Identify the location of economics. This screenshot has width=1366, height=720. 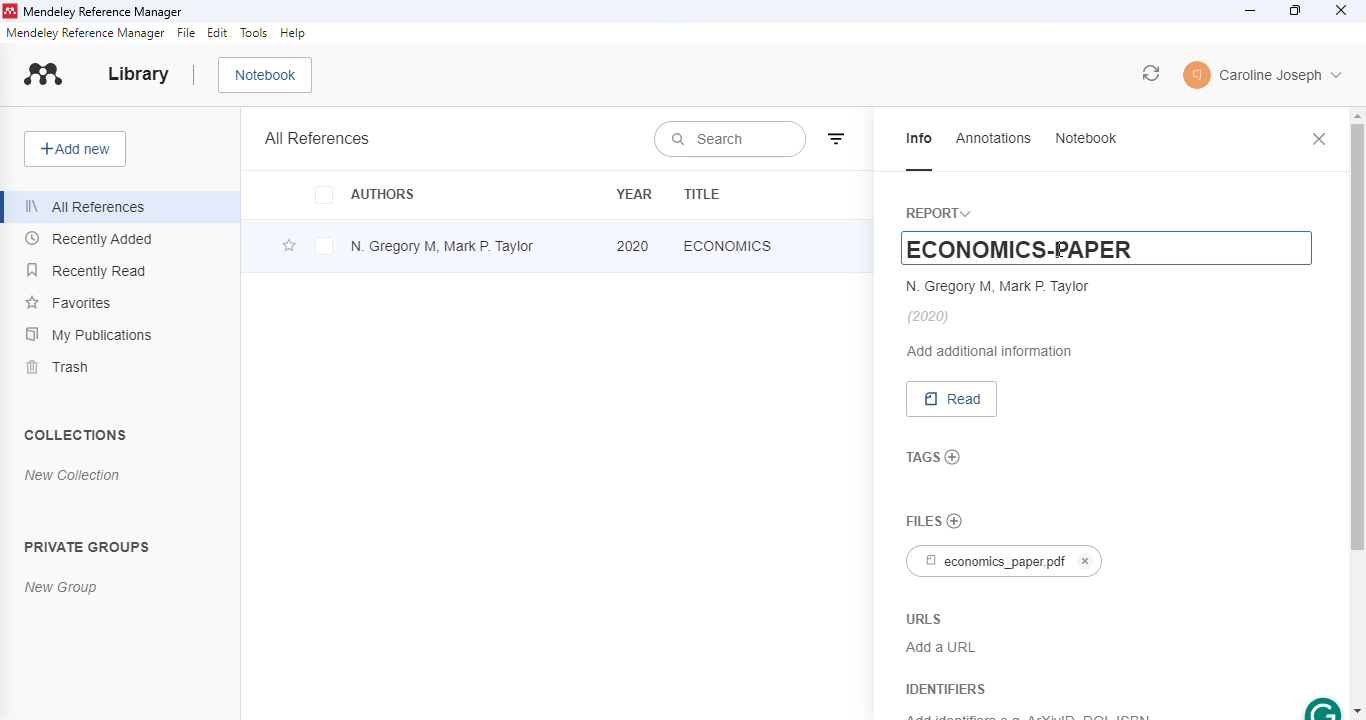
(728, 245).